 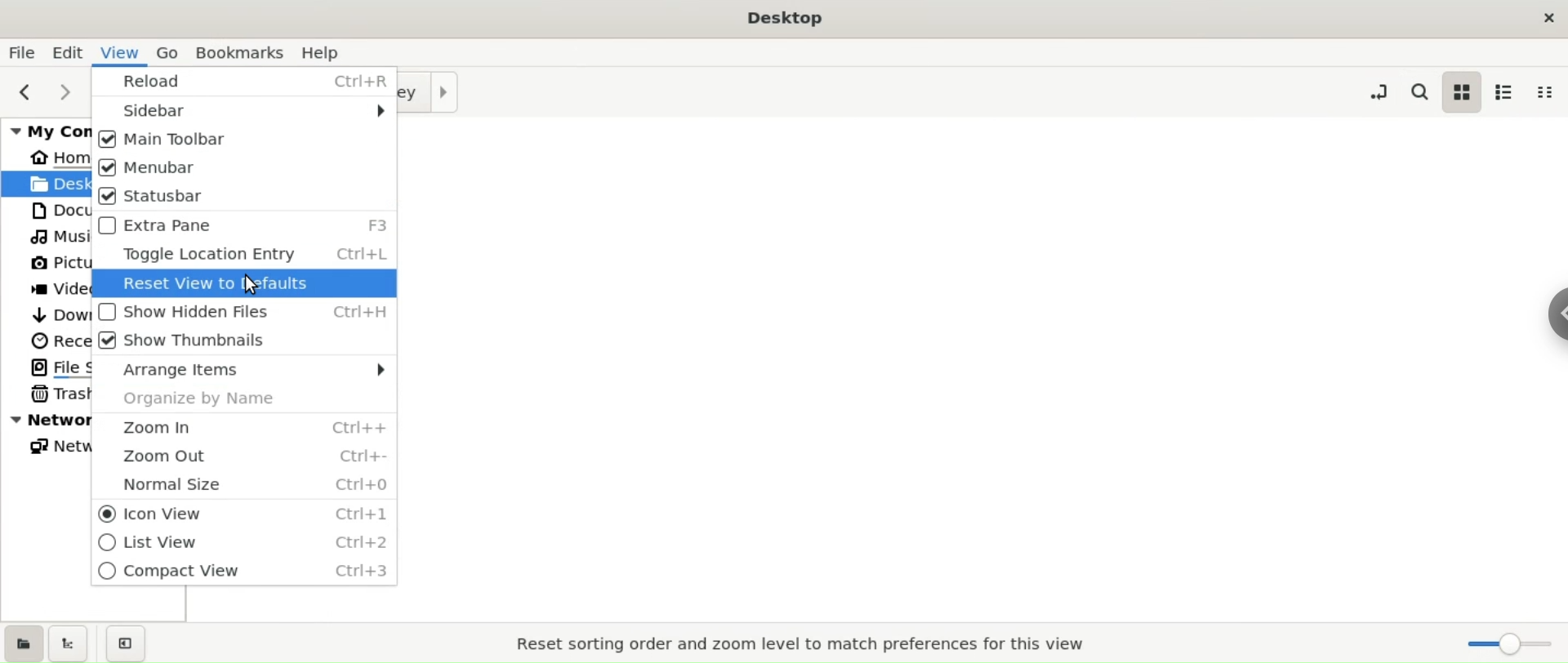 I want to click on list view, so click(x=1506, y=91).